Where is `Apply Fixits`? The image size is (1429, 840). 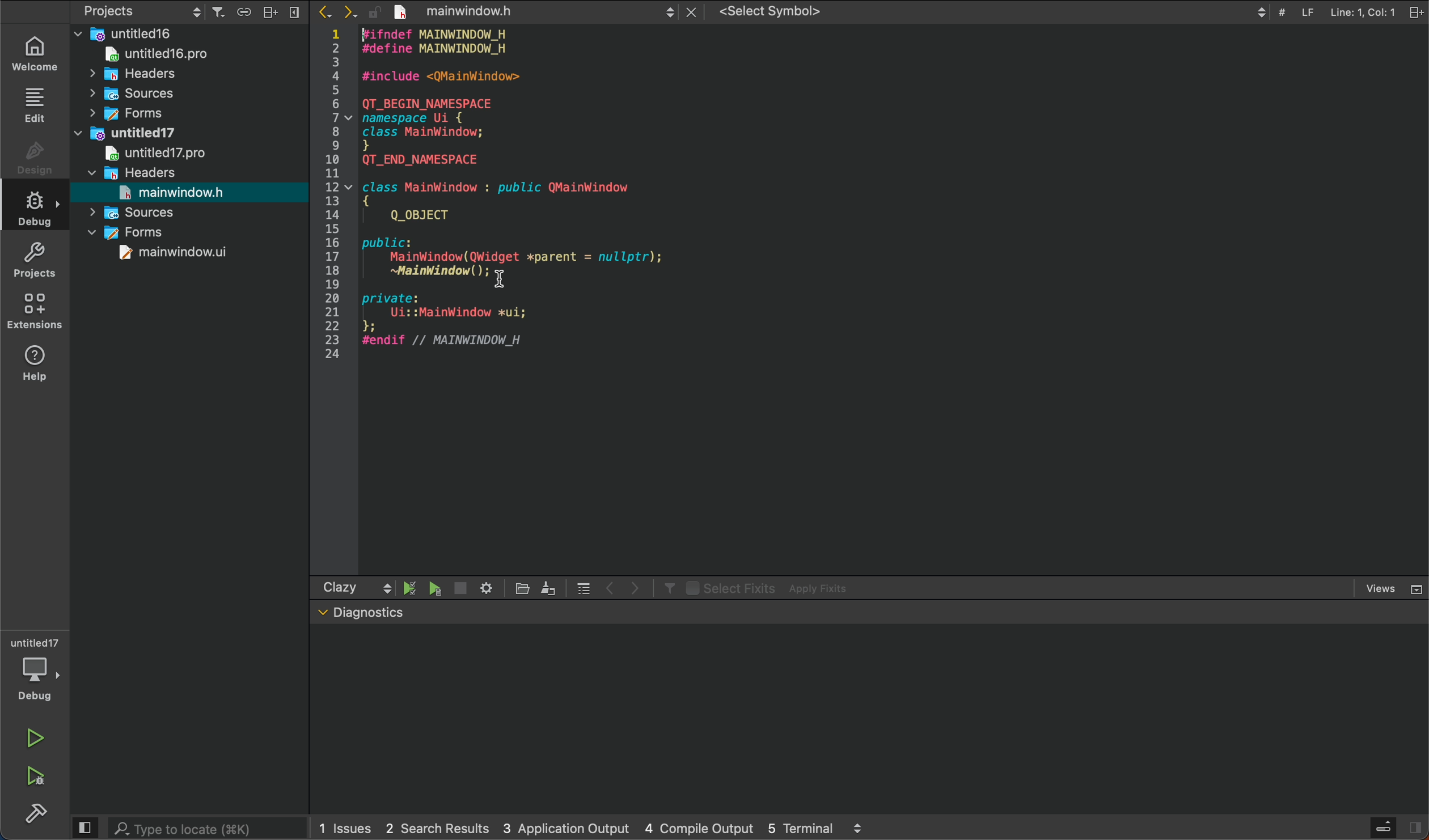 Apply Fixits is located at coordinates (822, 588).